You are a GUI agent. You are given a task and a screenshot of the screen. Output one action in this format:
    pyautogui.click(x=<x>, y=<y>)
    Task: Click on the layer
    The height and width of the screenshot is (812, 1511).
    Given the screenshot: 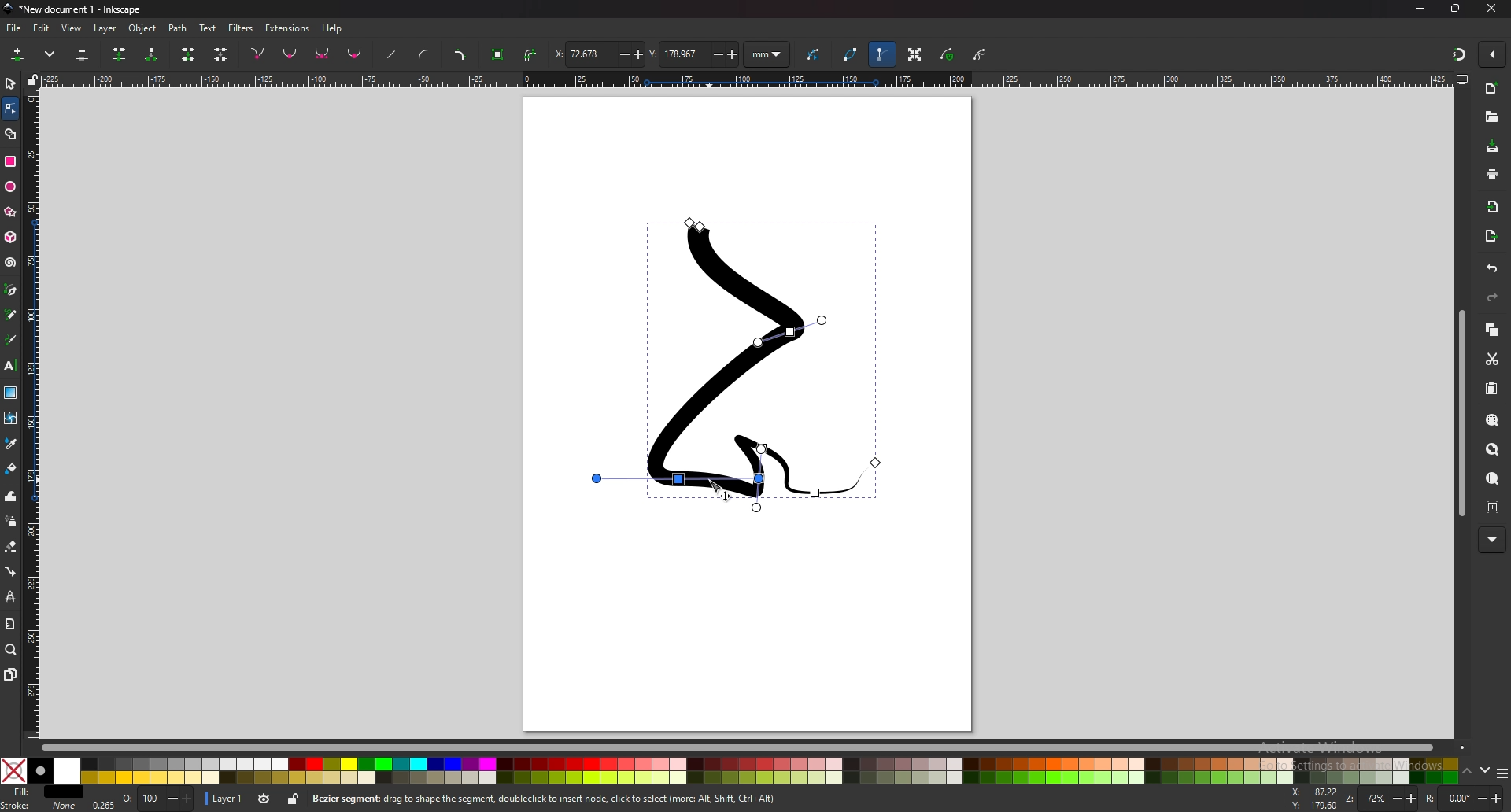 What is the action you would take?
    pyautogui.click(x=105, y=28)
    